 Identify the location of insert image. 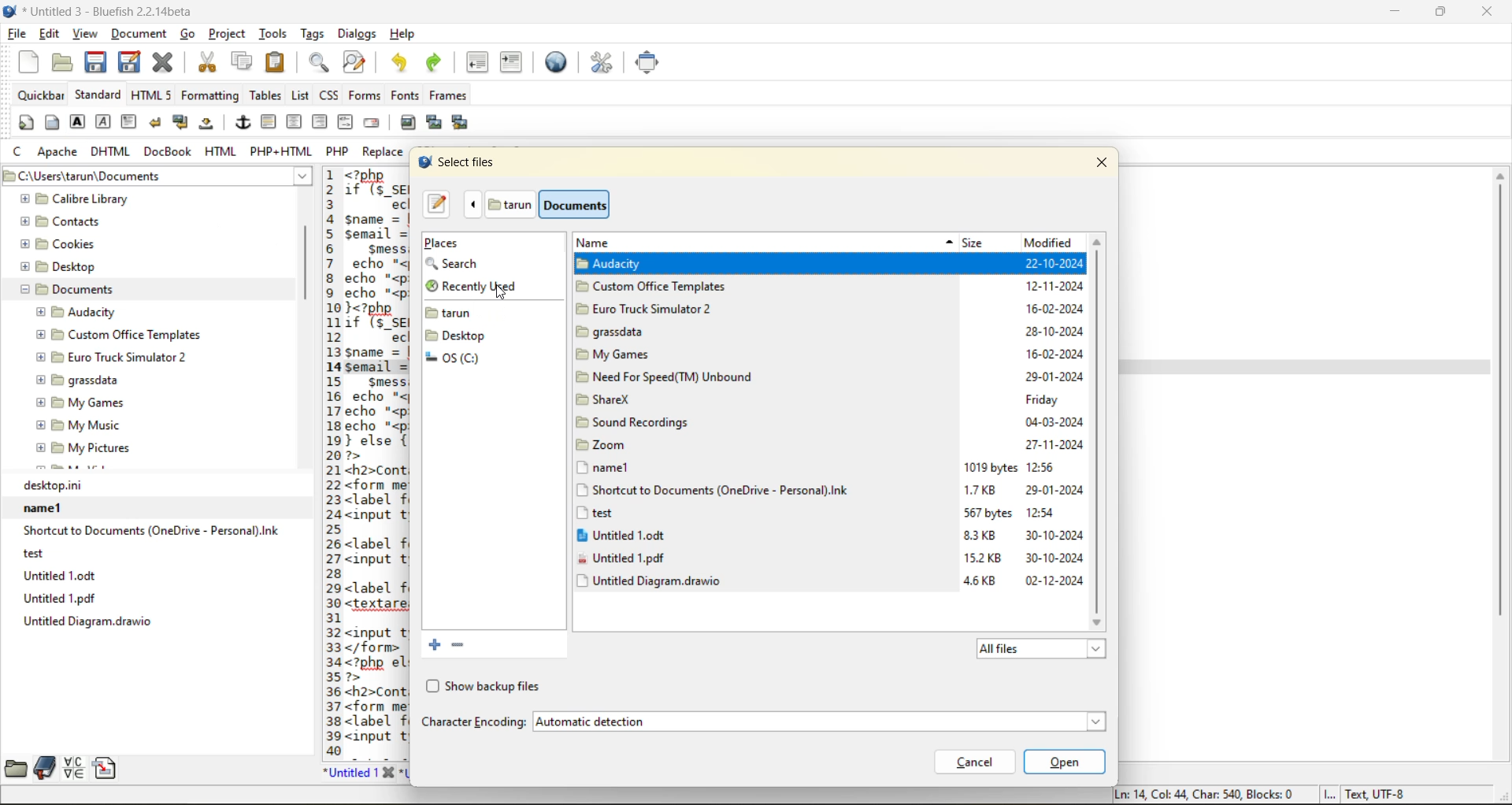
(410, 123).